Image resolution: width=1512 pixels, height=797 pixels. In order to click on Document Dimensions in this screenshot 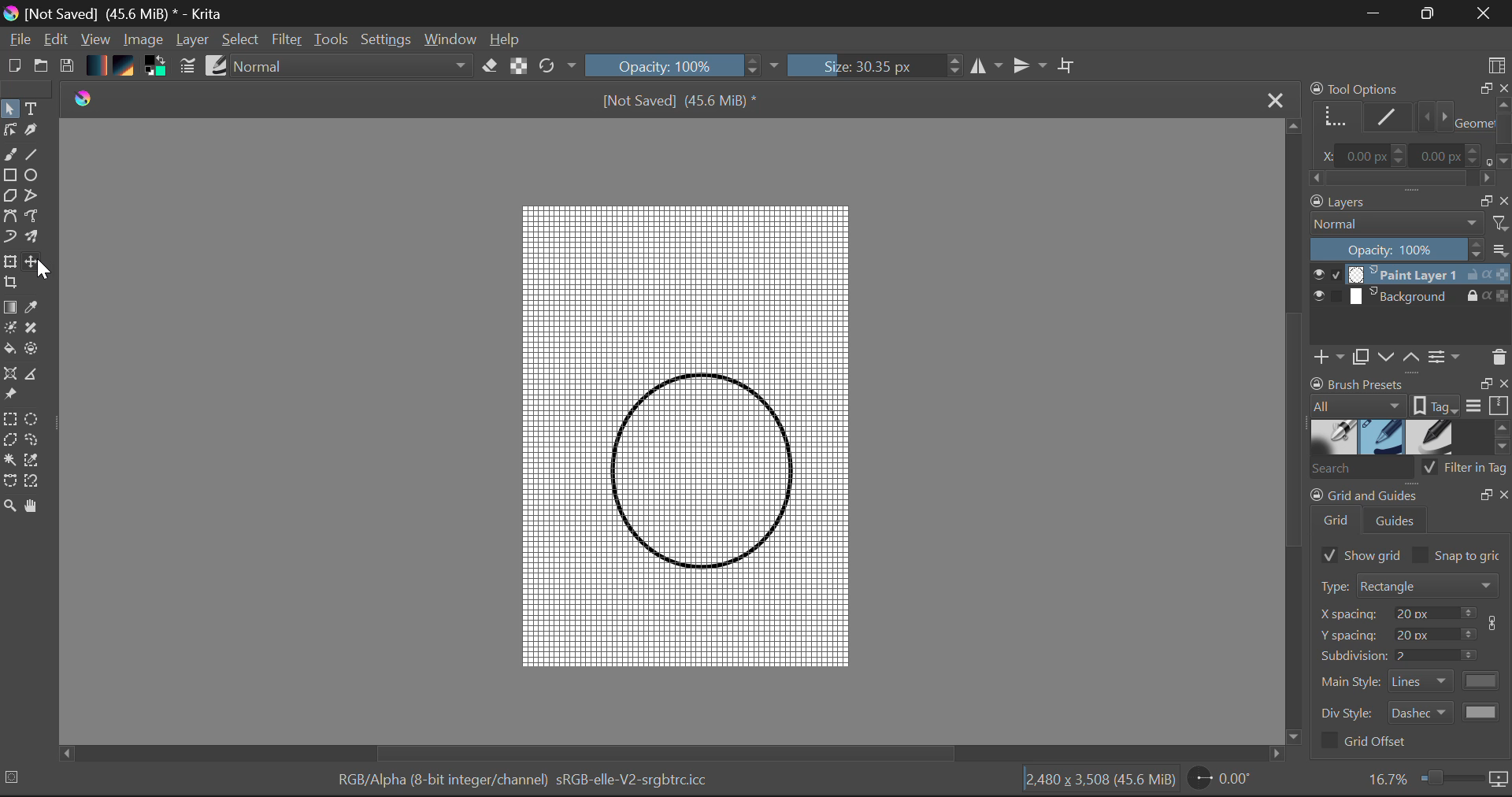, I will do `click(1101, 783)`.